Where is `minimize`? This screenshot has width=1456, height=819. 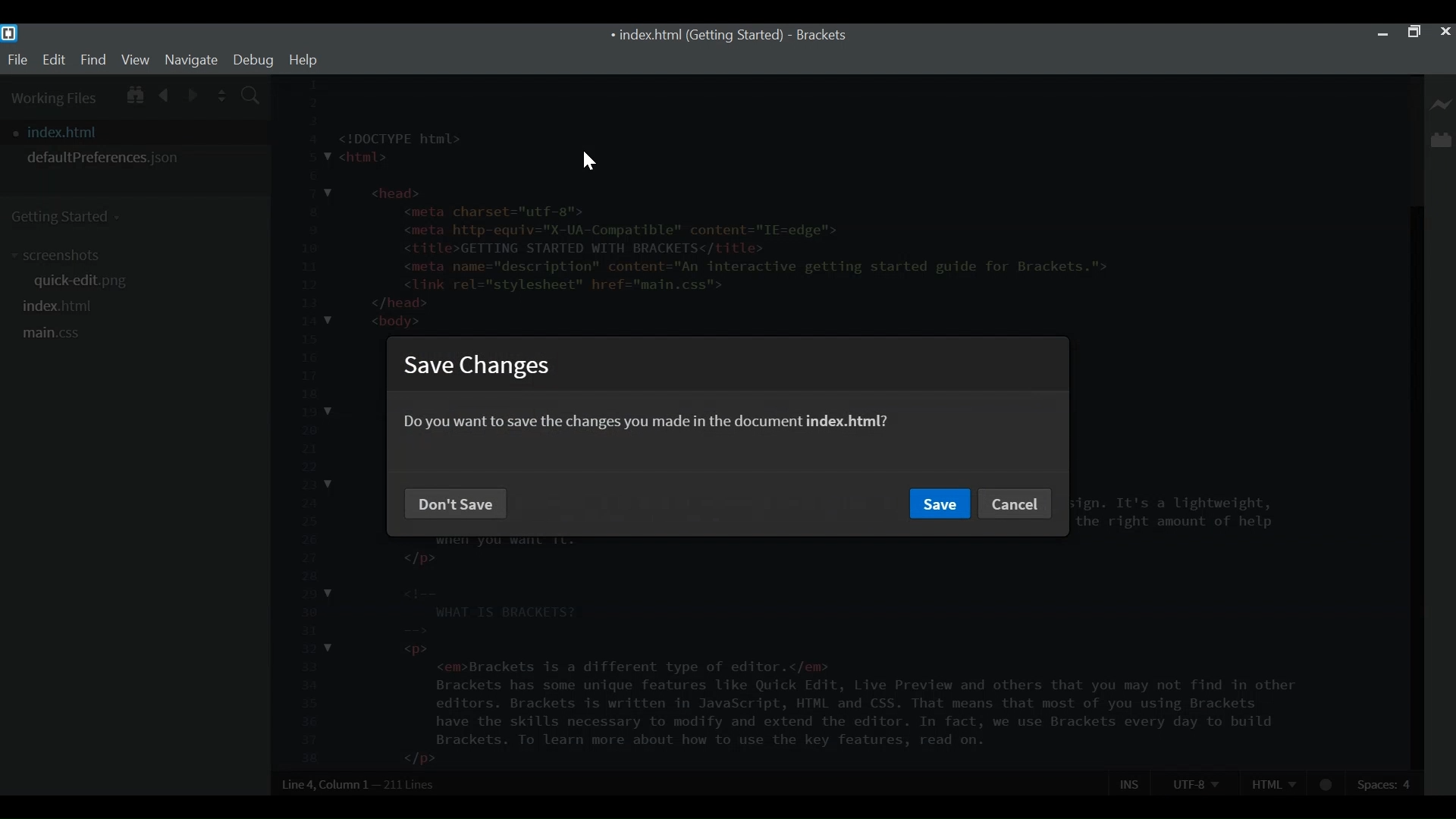 minimize is located at coordinates (1382, 32).